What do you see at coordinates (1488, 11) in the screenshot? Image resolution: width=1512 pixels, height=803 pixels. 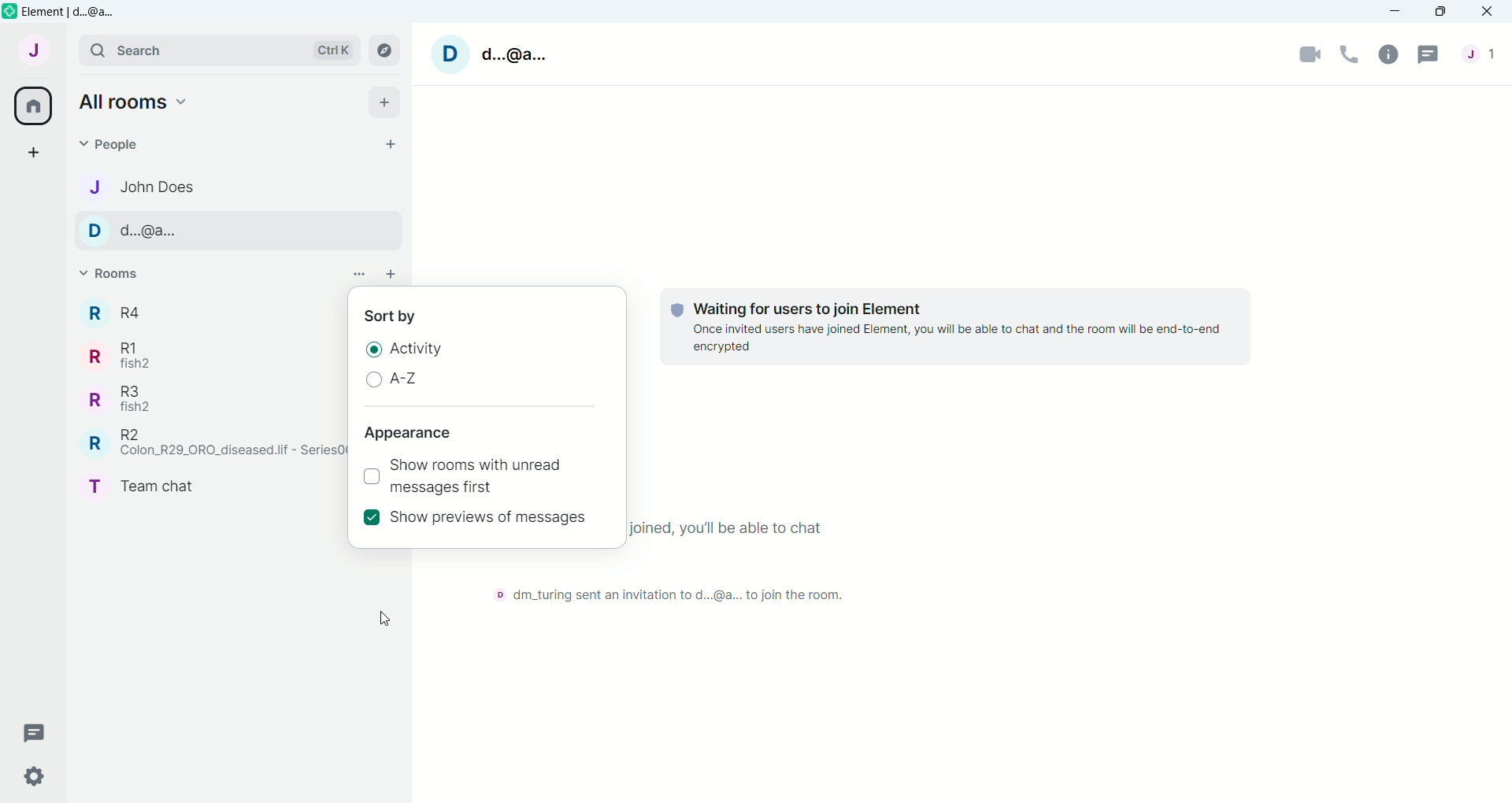 I see `Close` at bounding box center [1488, 11].